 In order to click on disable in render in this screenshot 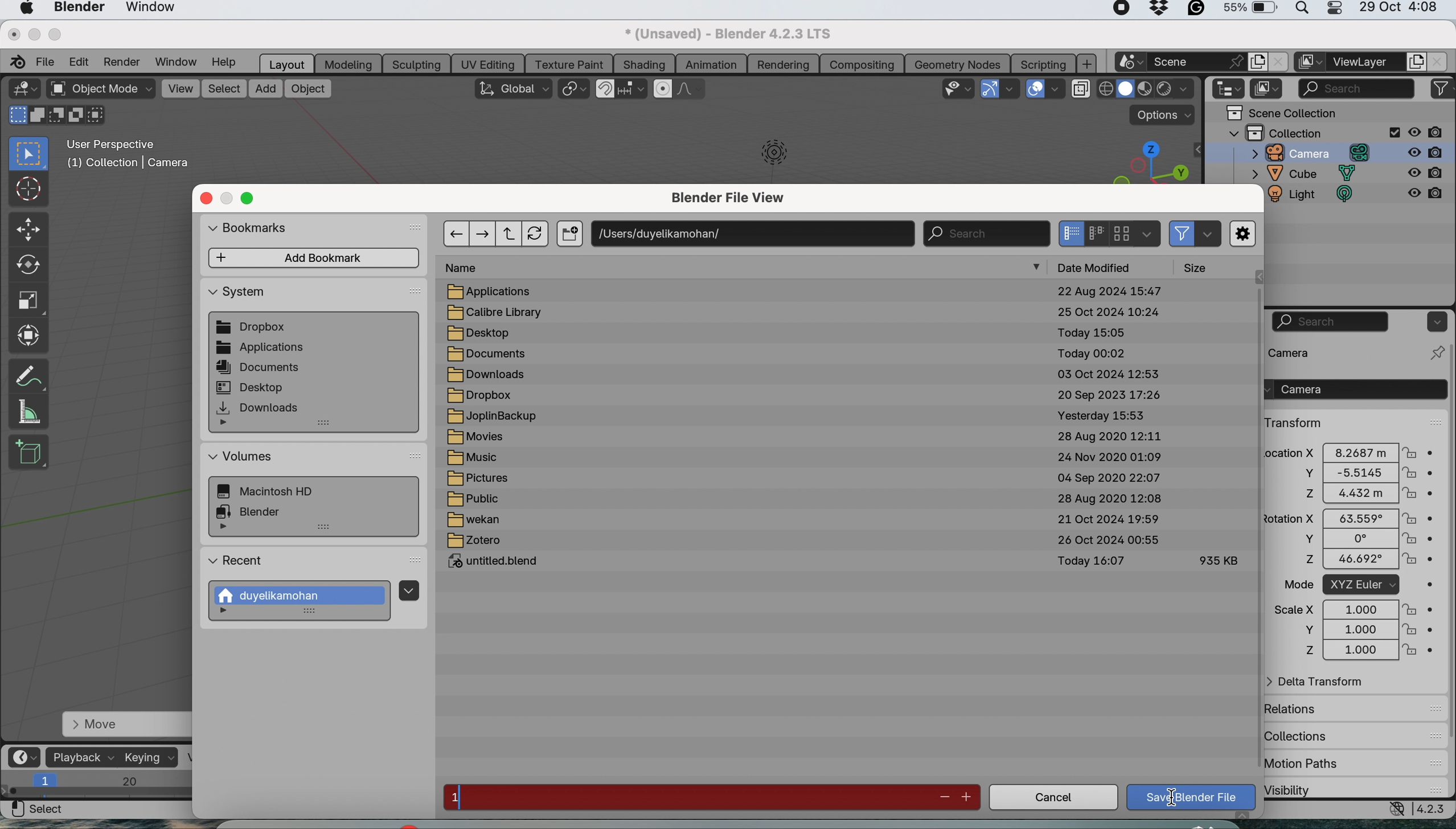, I will do `click(1425, 198)`.